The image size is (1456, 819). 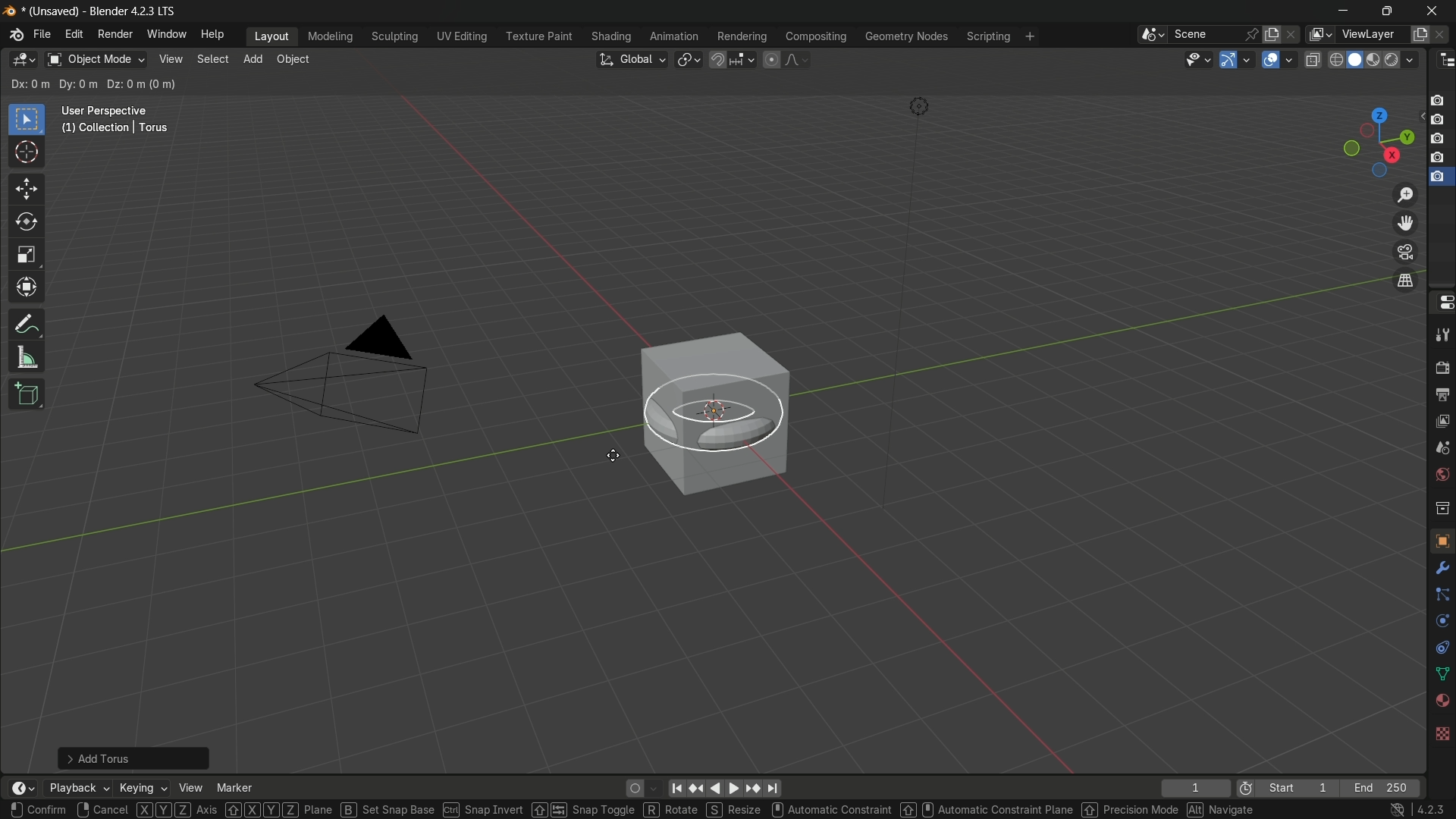 What do you see at coordinates (1437, 139) in the screenshot?
I see `layer 3` at bounding box center [1437, 139].